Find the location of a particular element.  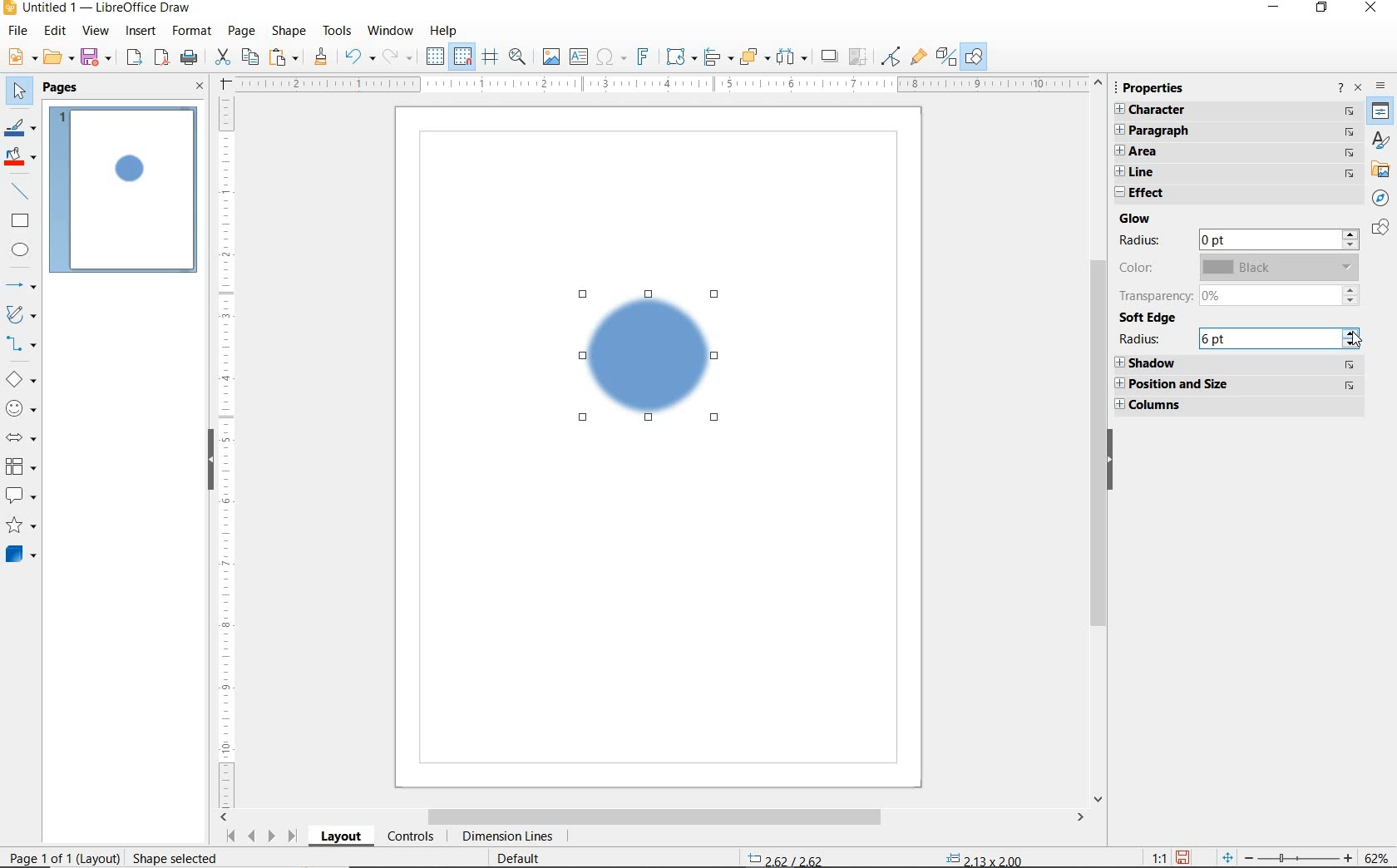

page 1 of 1 (layout) Shape selected is located at coordinates (118, 859).